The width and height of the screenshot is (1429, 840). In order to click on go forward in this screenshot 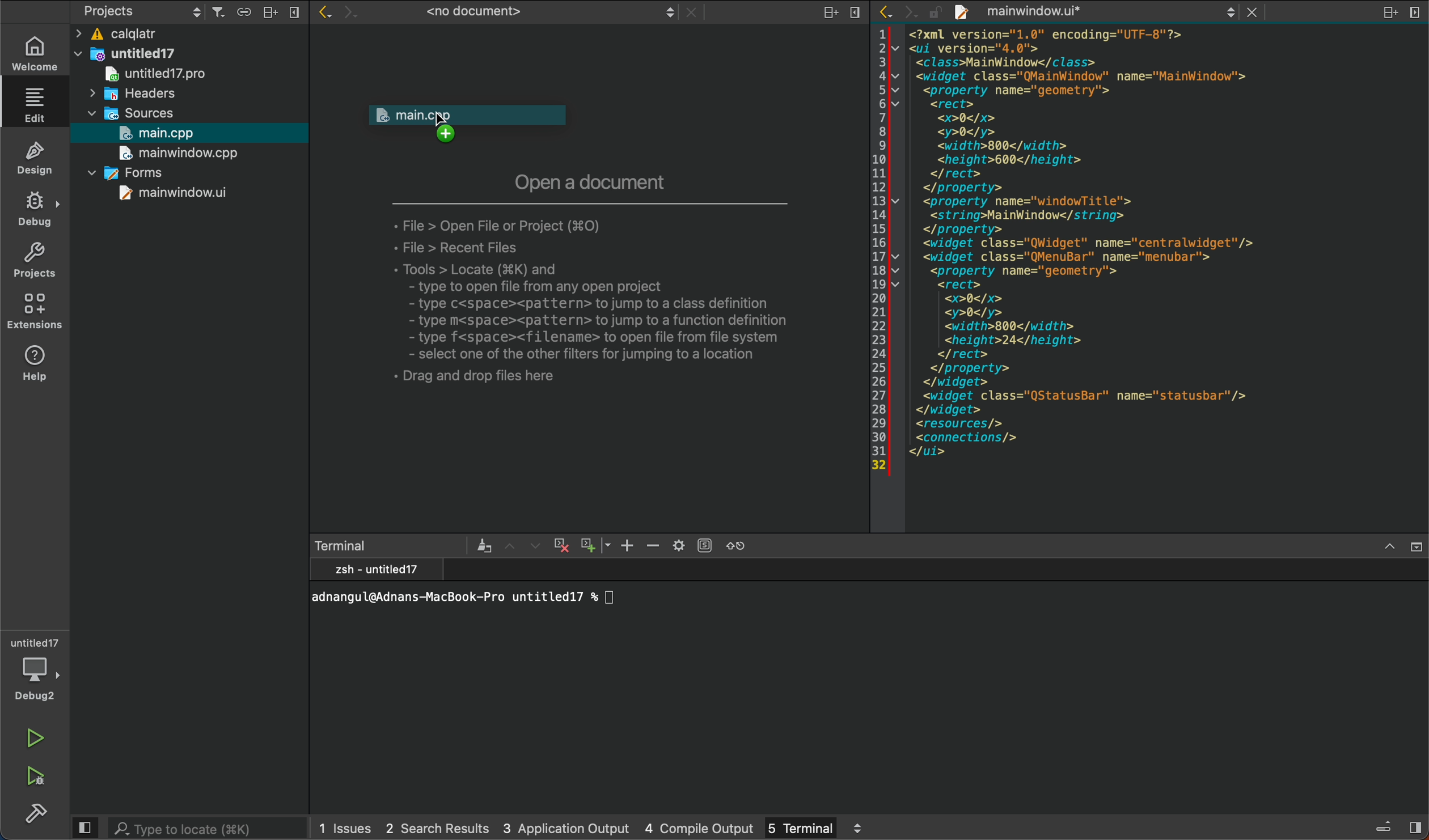, I will do `click(352, 14)`.